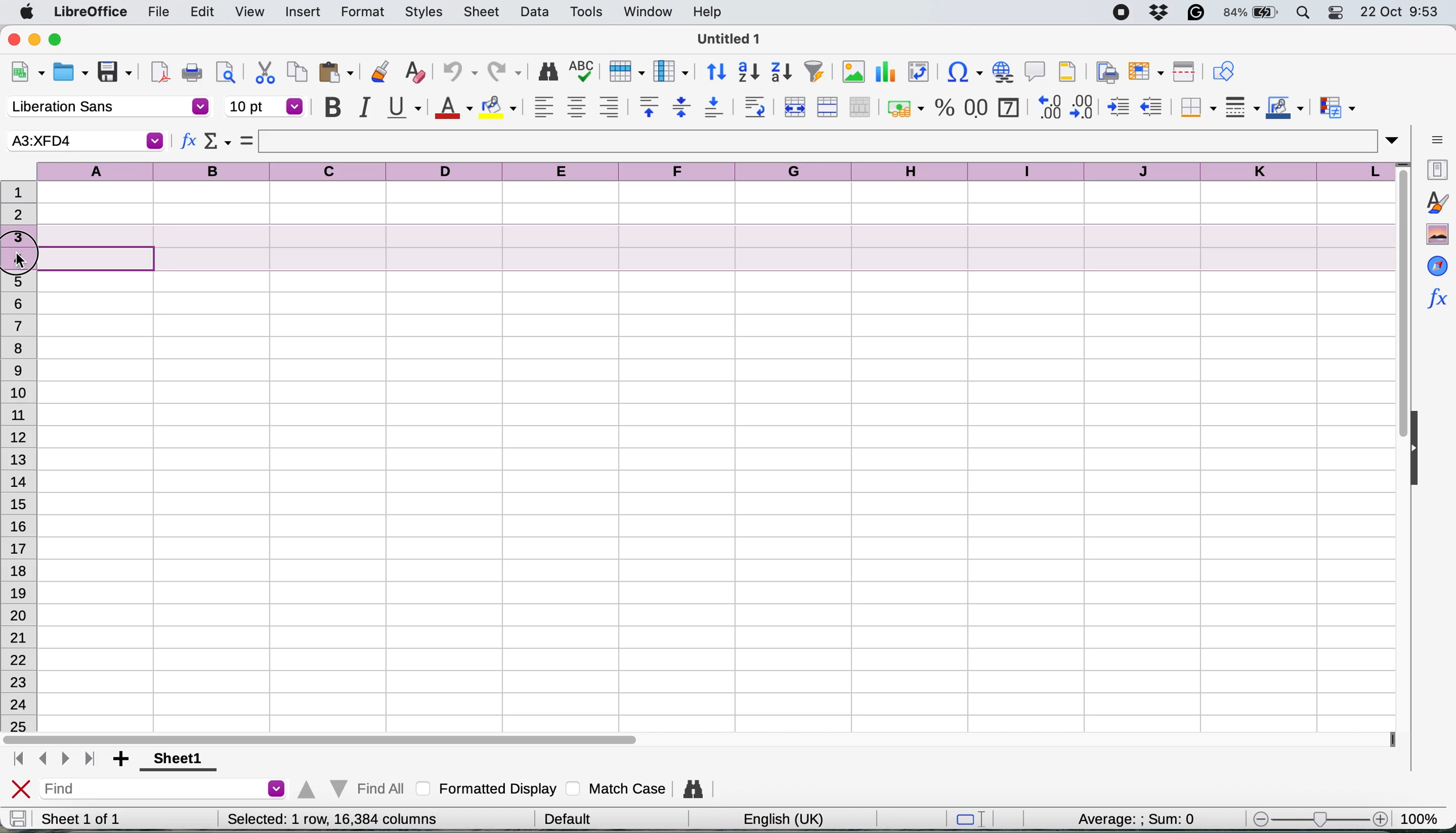 This screenshot has width=1456, height=833. Describe the element at coordinates (506, 73) in the screenshot. I see `redo` at that location.